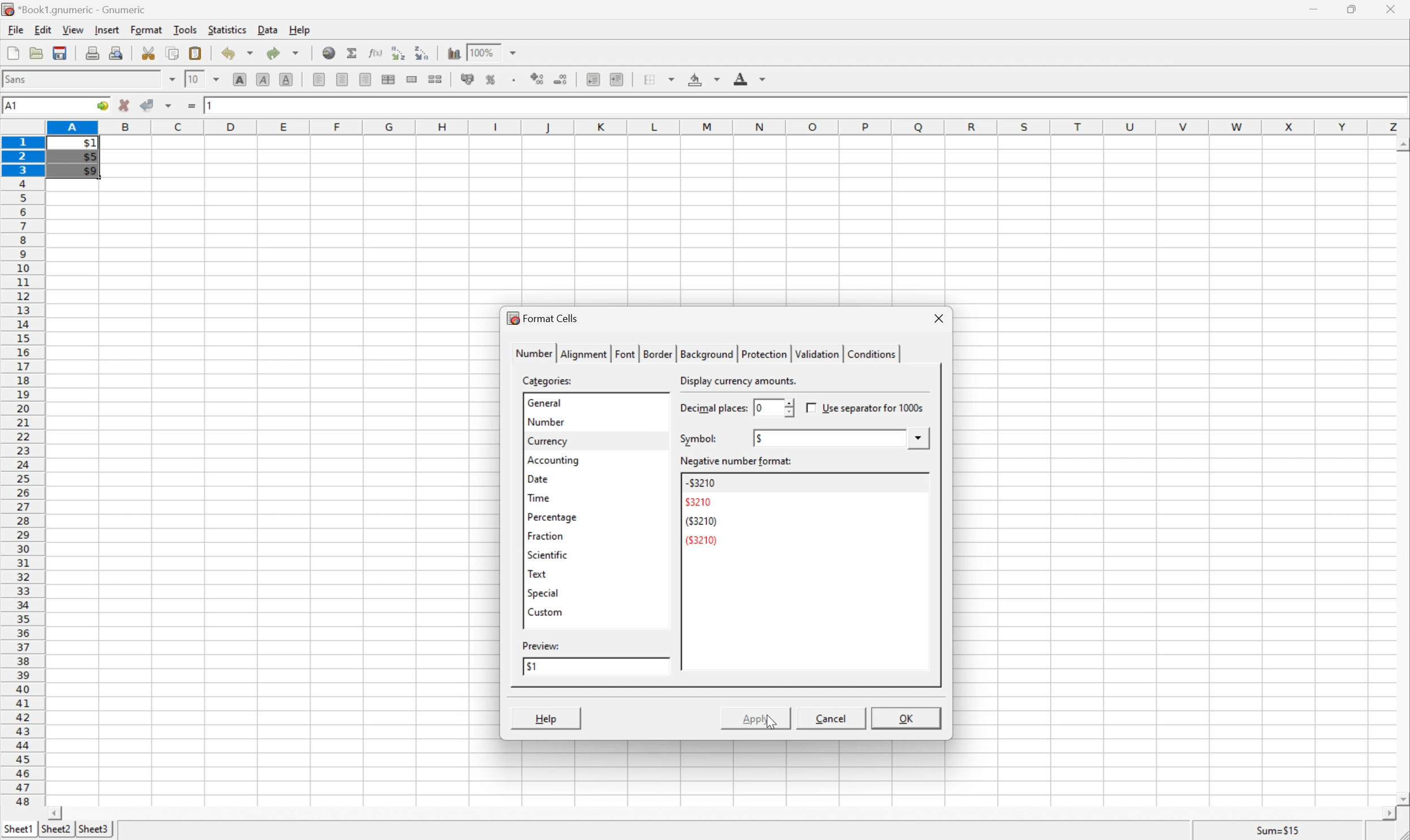  I want to click on underline, so click(288, 80).